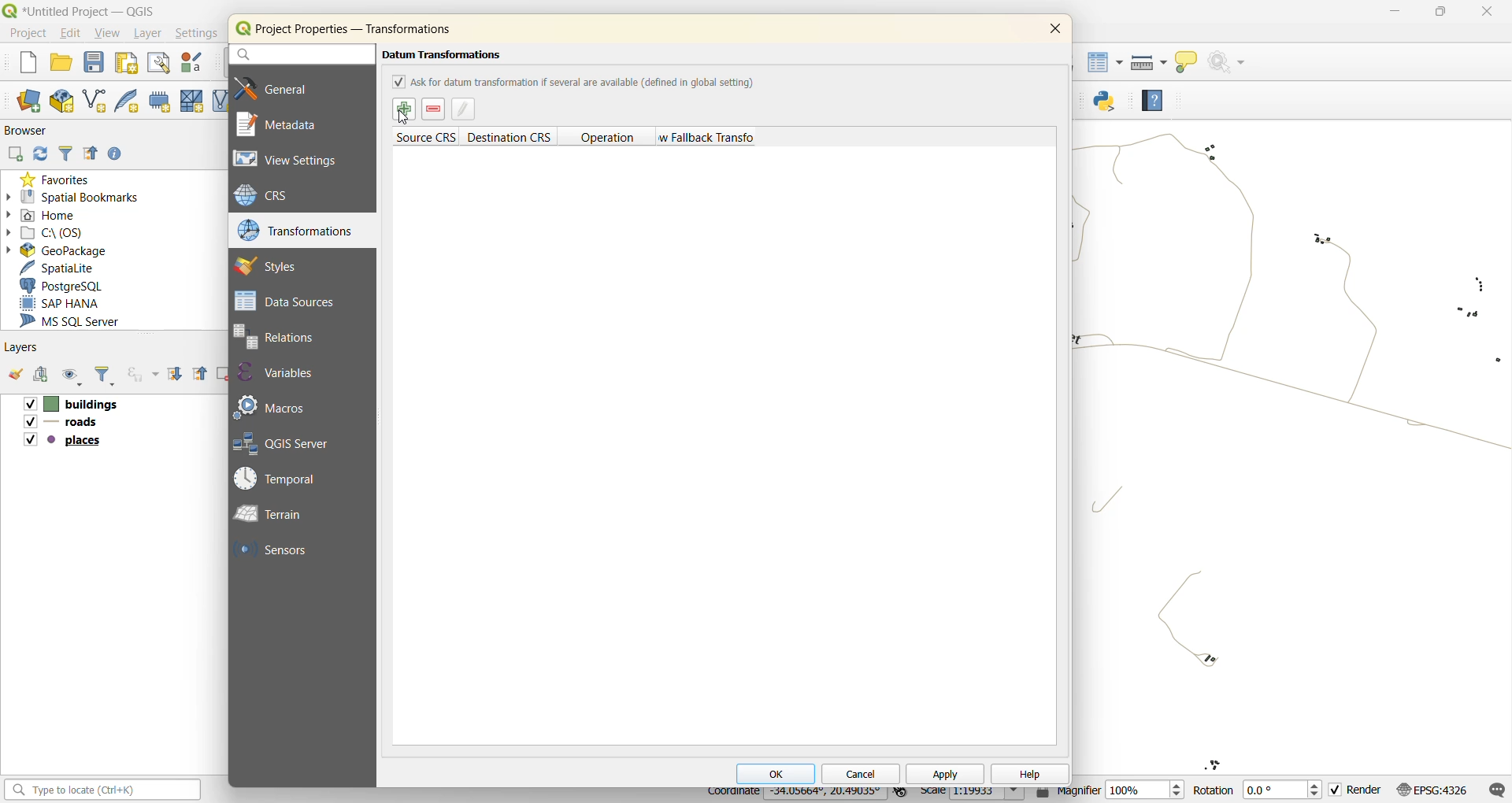 The height and width of the screenshot is (803, 1512). Describe the element at coordinates (1359, 791) in the screenshot. I see `render` at that location.